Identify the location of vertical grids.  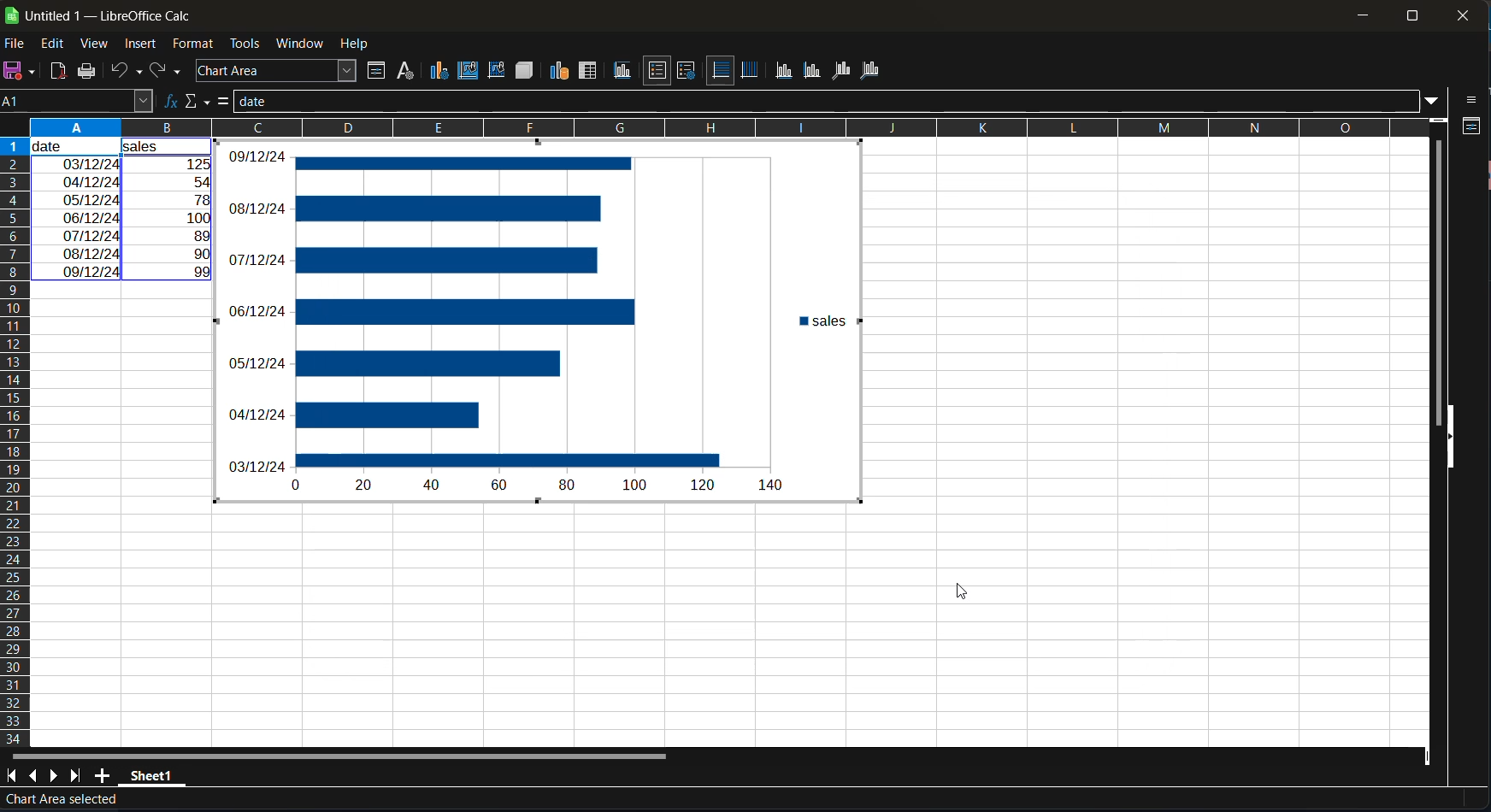
(751, 70).